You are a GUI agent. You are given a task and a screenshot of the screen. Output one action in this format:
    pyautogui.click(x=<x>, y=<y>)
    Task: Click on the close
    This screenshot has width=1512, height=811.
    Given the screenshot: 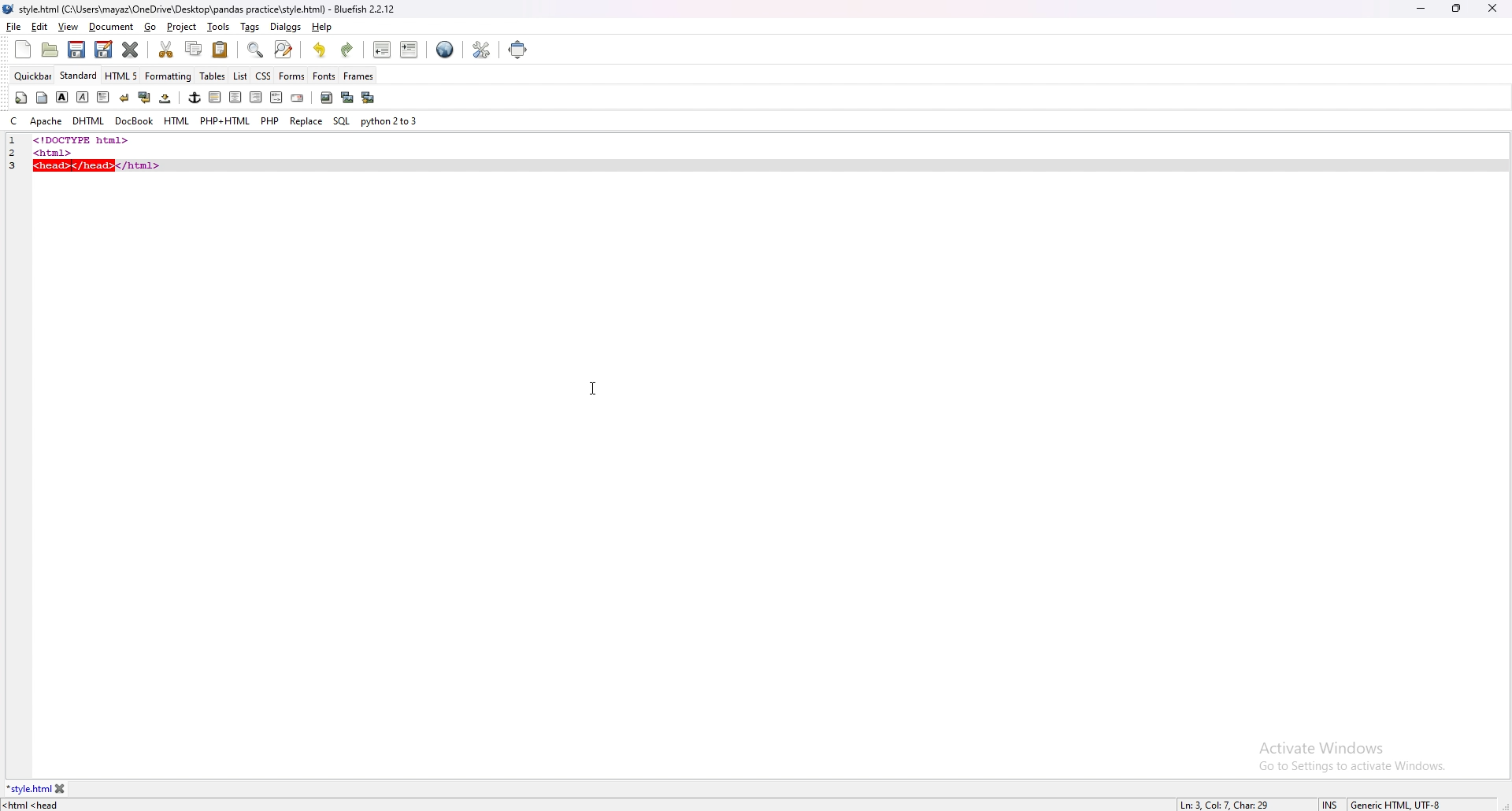 What is the action you would take?
    pyautogui.click(x=1492, y=8)
    